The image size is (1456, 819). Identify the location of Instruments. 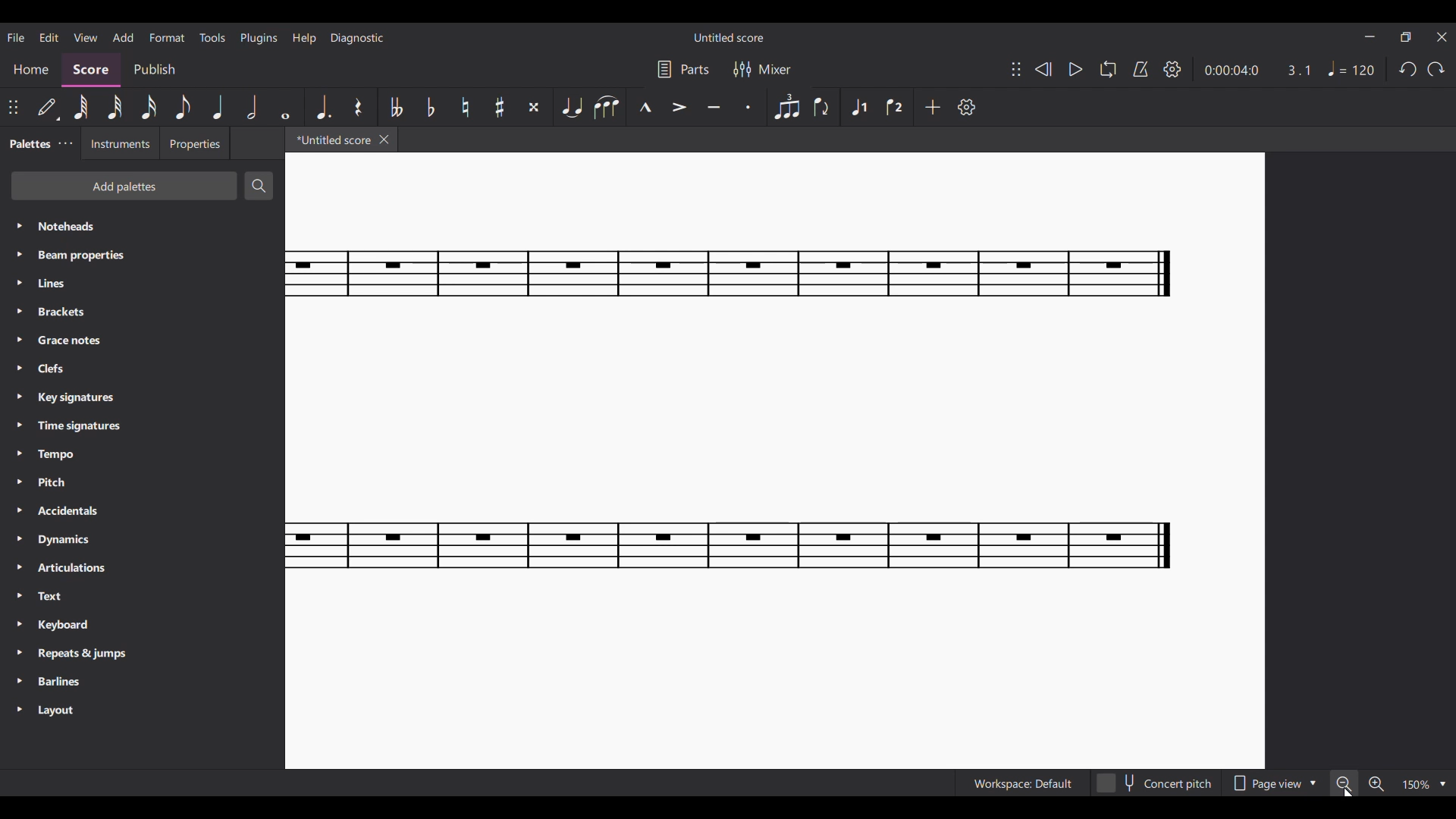
(121, 143).